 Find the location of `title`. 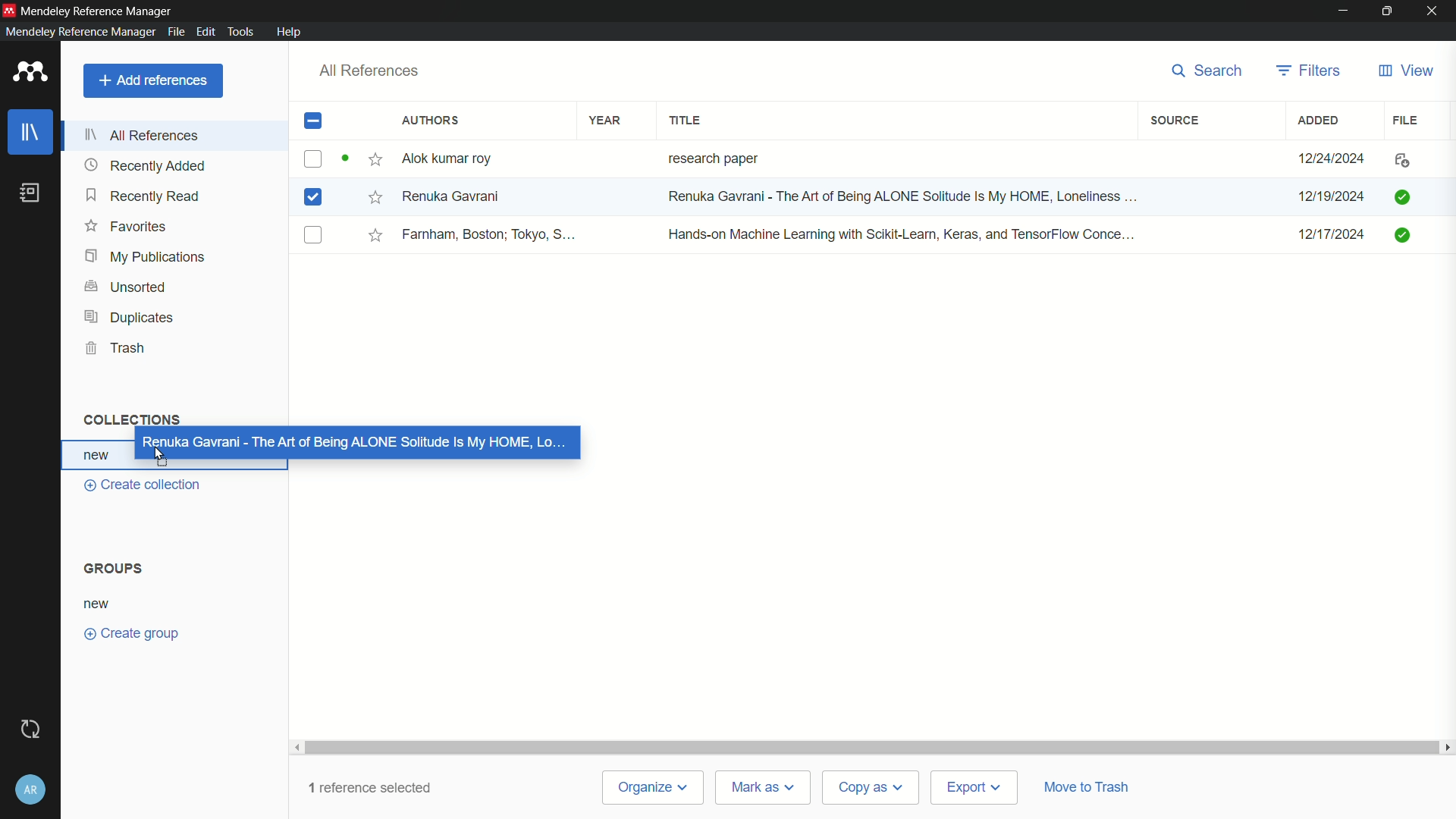

title is located at coordinates (687, 121).